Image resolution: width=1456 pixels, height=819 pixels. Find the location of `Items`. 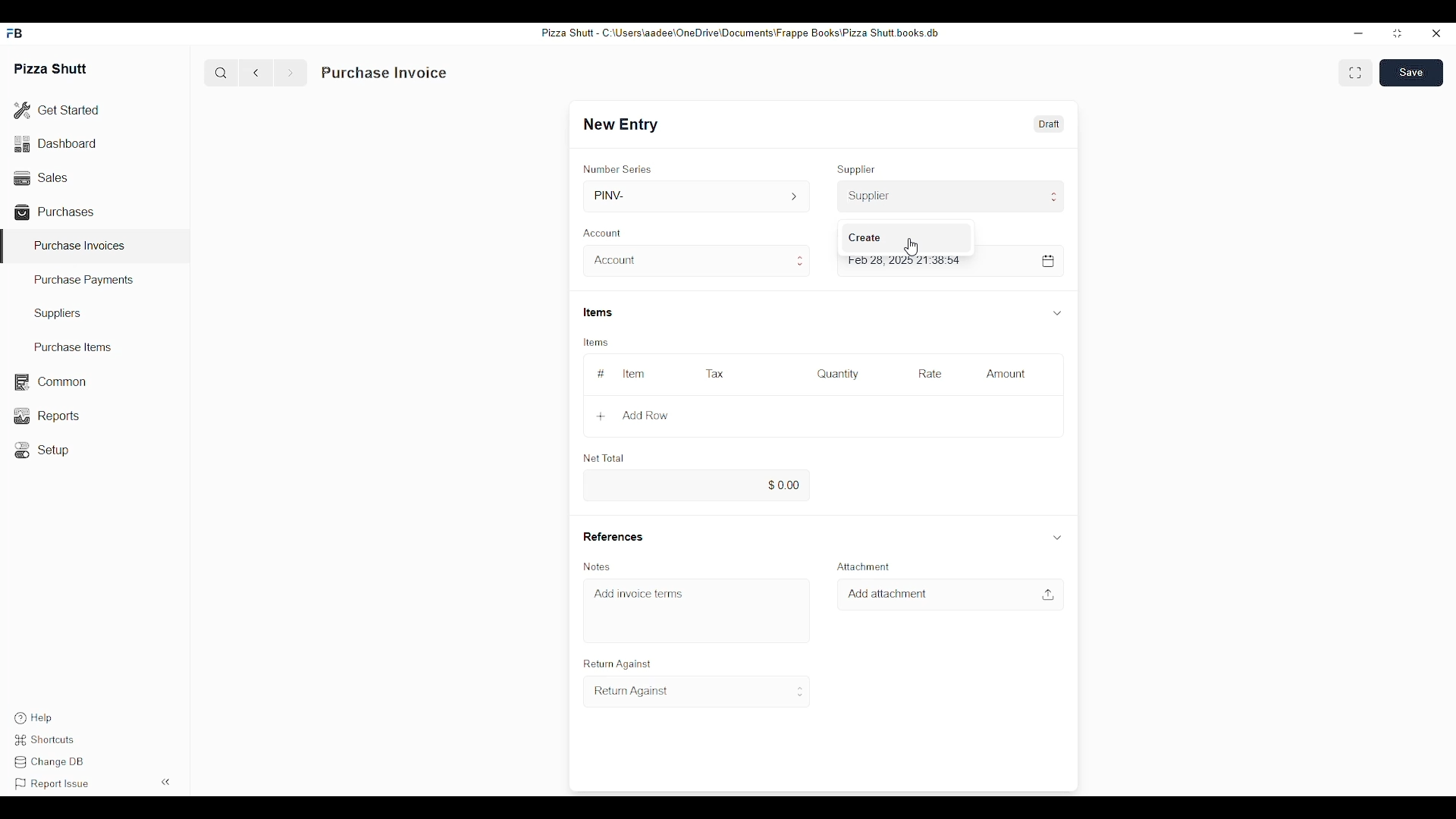

Items is located at coordinates (595, 312).